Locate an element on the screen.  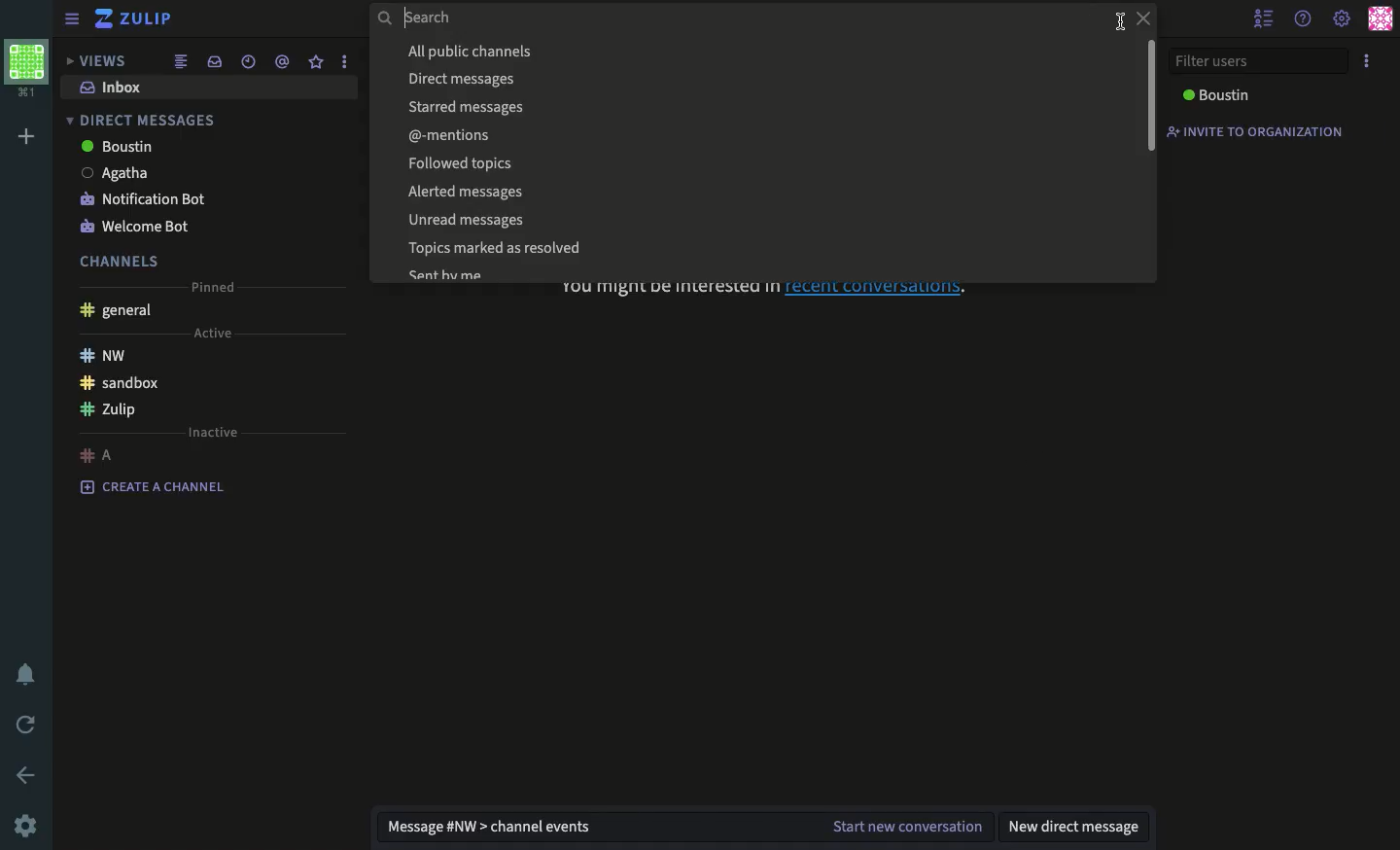
vertical scroll bar is located at coordinates (1148, 103).